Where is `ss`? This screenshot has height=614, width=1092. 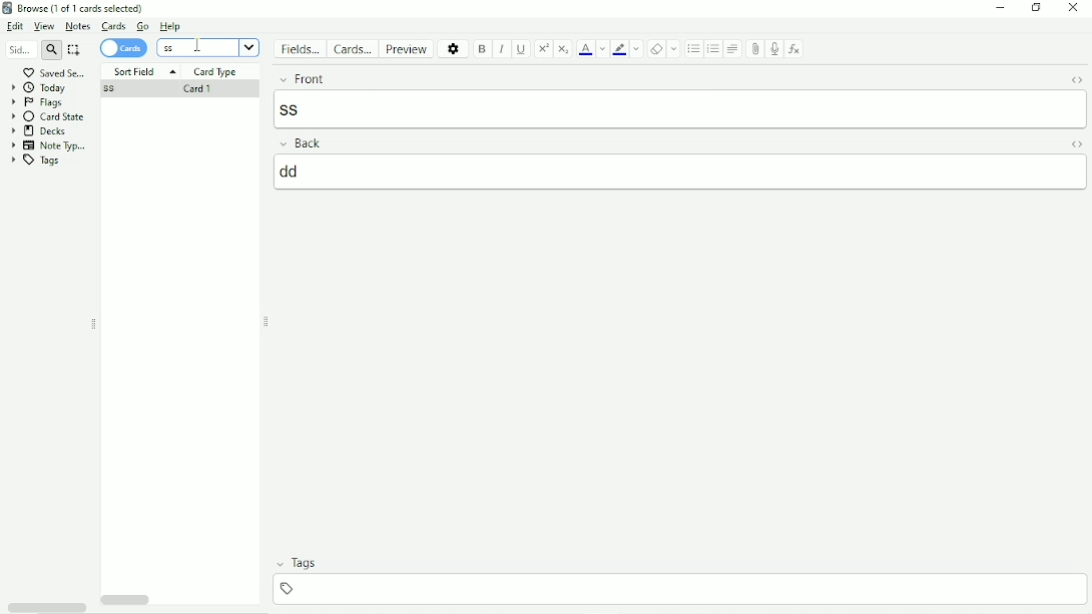
ss is located at coordinates (110, 90).